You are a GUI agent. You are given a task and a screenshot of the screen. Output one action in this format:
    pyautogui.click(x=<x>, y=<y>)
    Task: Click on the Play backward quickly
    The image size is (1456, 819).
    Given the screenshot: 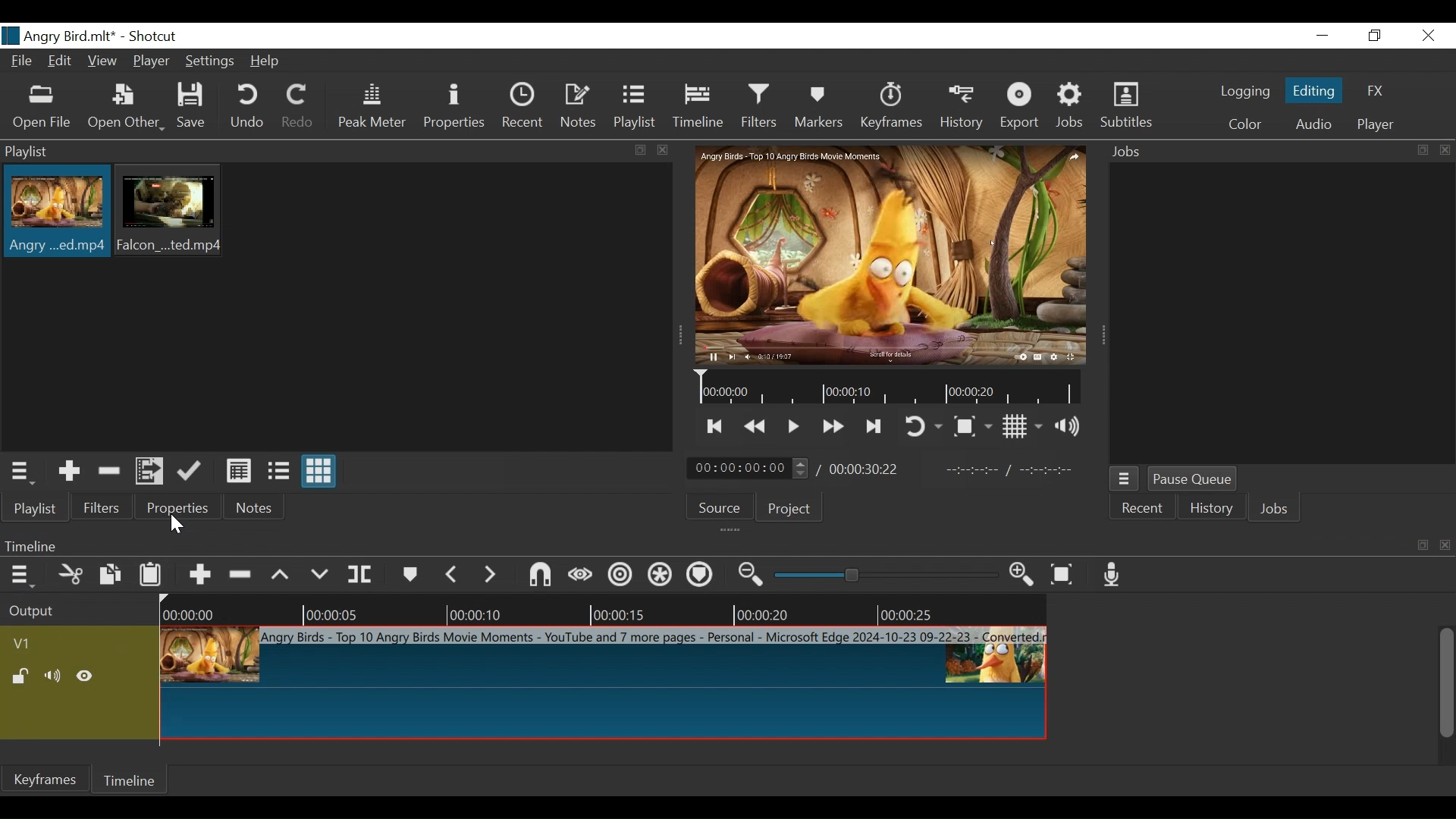 What is the action you would take?
    pyautogui.click(x=756, y=428)
    